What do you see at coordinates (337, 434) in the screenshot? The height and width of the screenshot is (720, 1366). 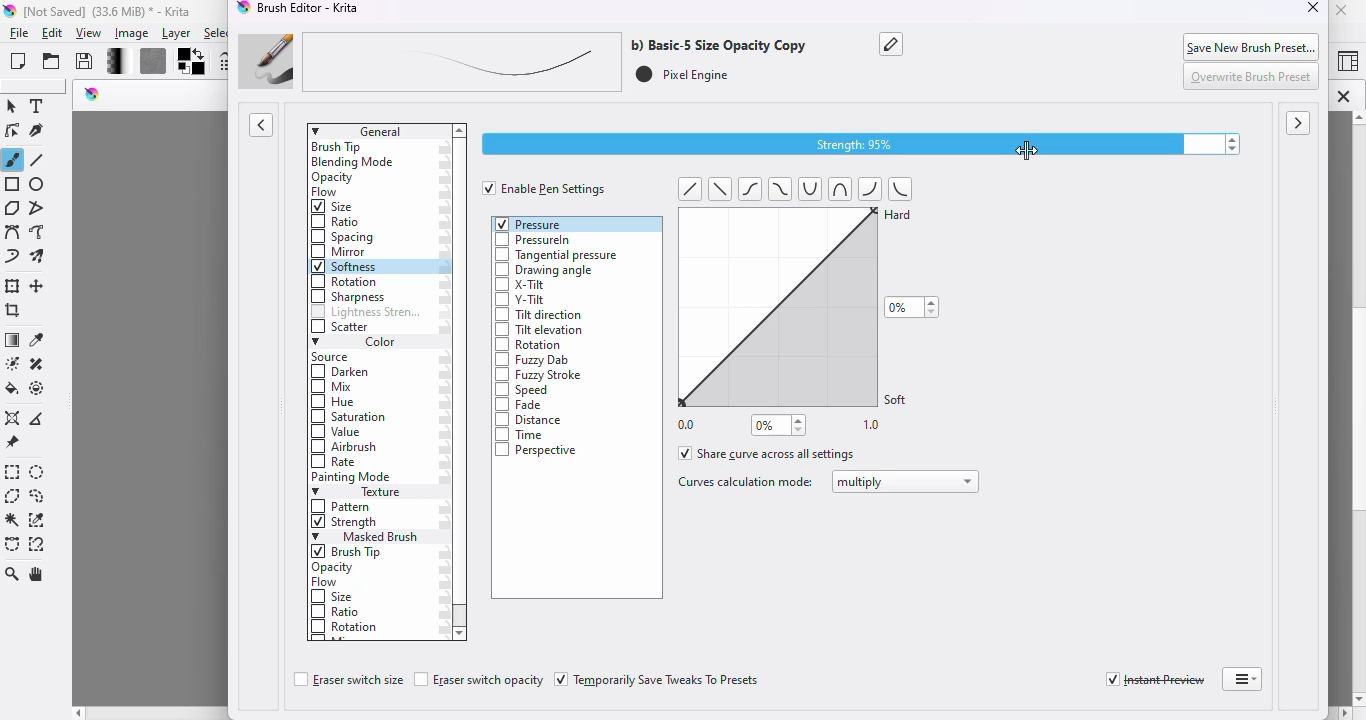 I see `value` at bounding box center [337, 434].